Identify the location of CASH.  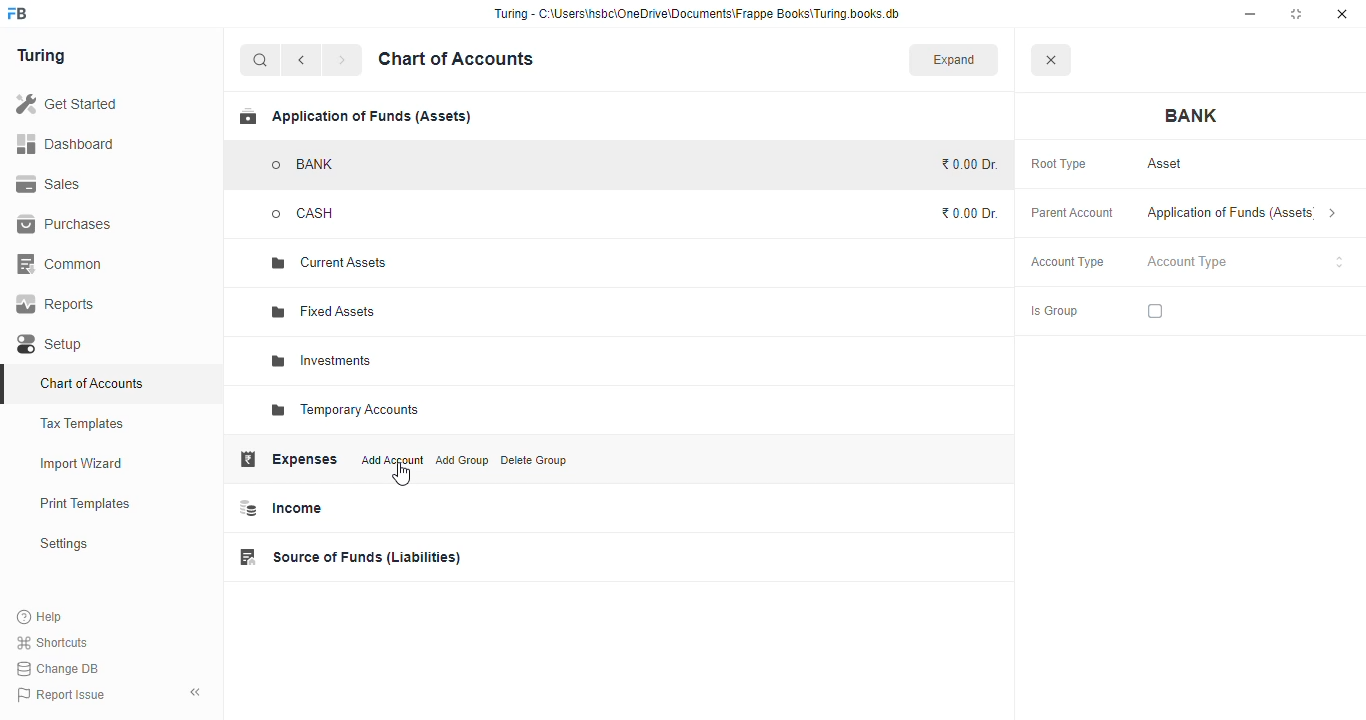
(324, 213).